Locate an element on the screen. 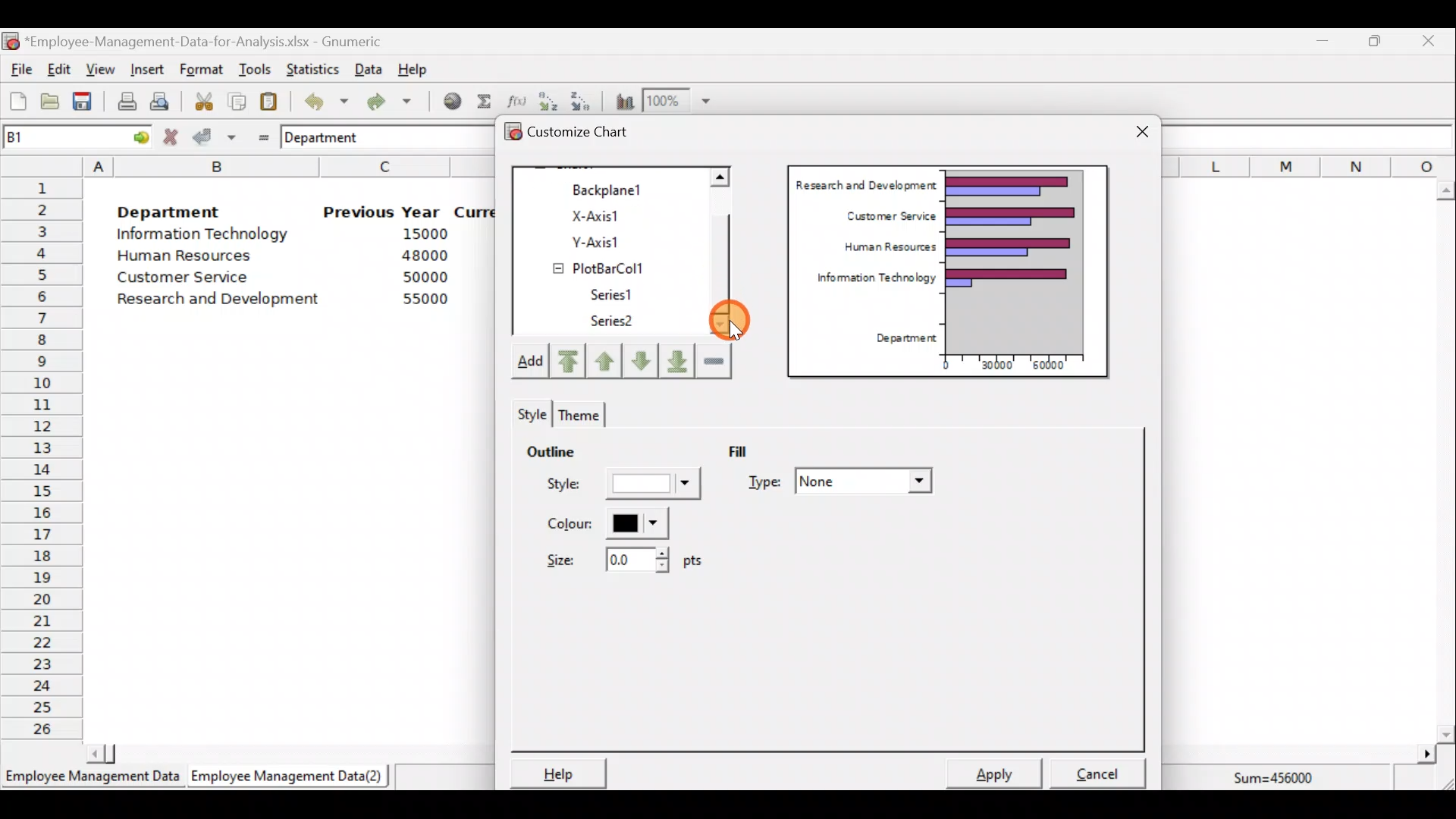  Human Resources is located at coordinates (883, 248).